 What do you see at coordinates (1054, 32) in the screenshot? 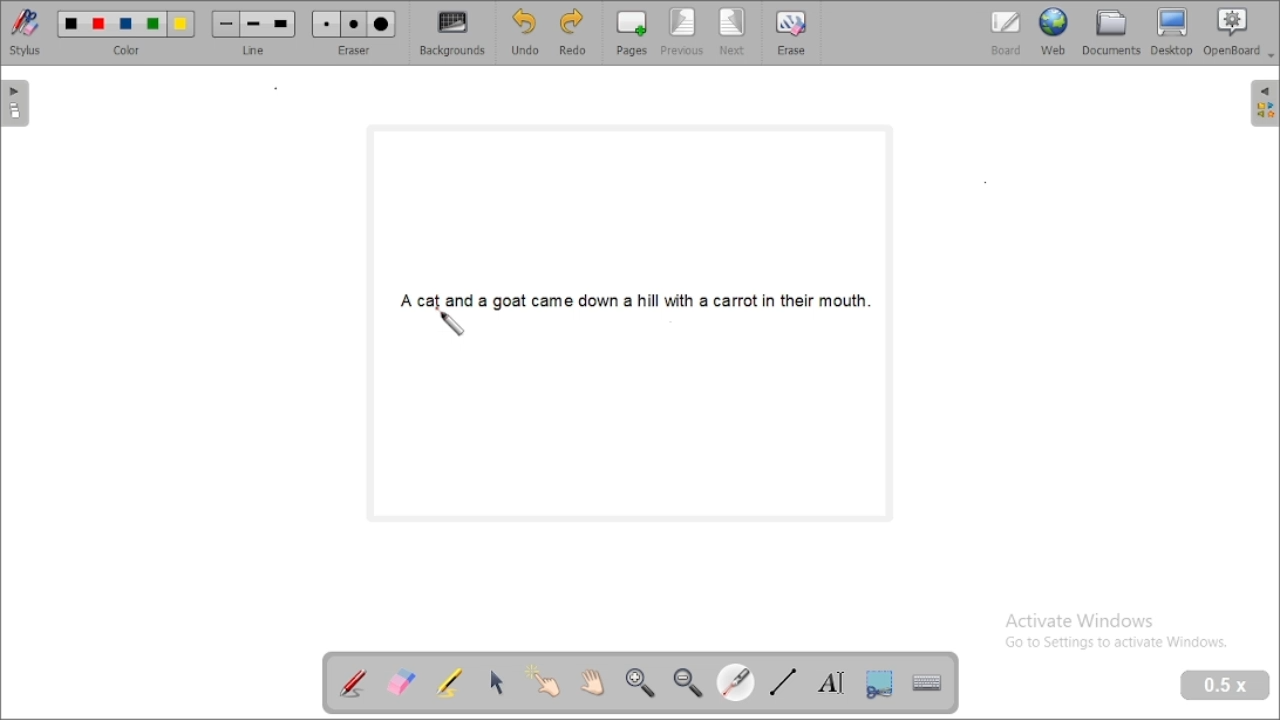
I see `web` at bounding box center [1054, 32].